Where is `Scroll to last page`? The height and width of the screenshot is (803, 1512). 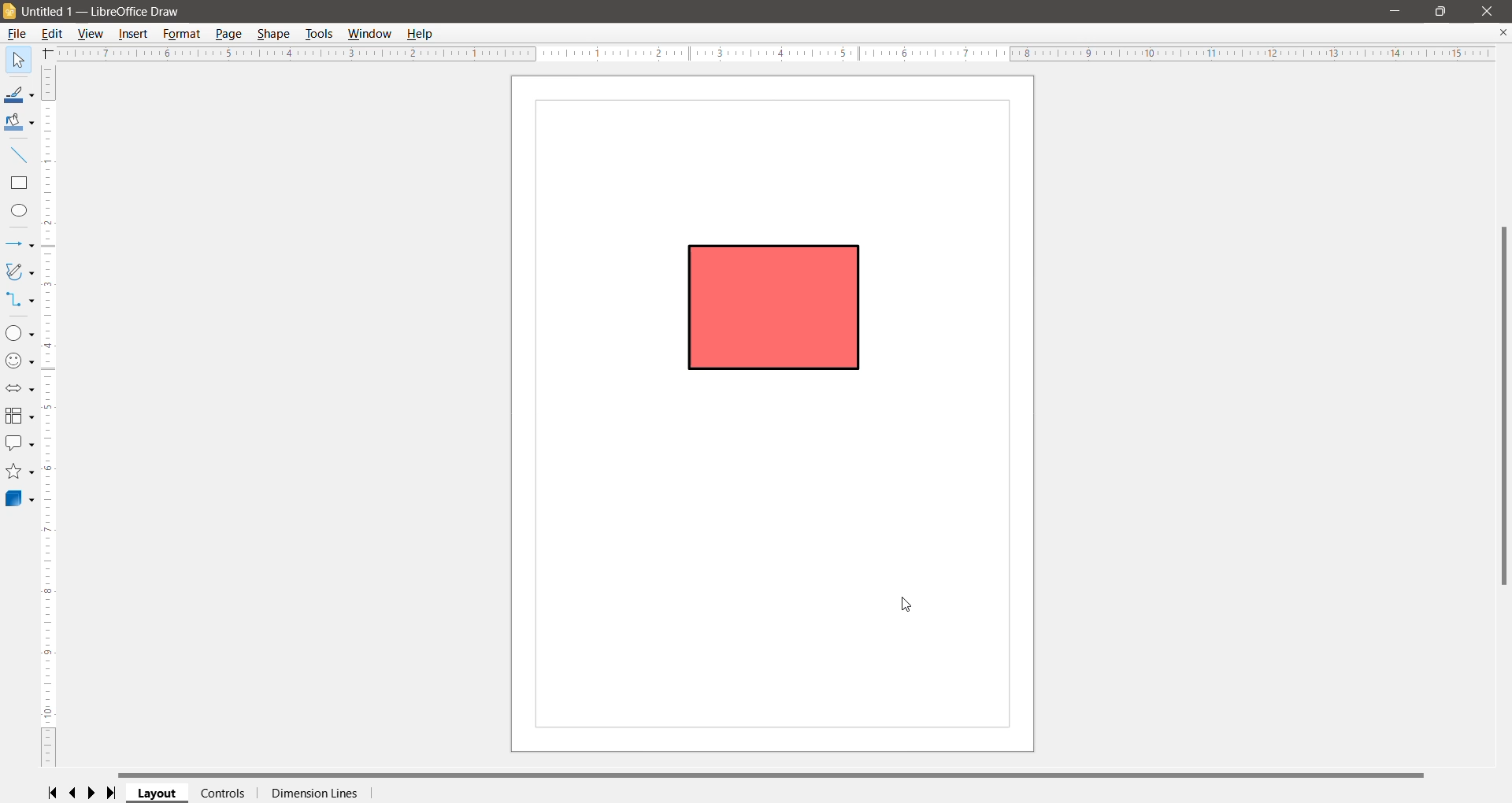 Scroll to last page is located at coordinates (112, 794).